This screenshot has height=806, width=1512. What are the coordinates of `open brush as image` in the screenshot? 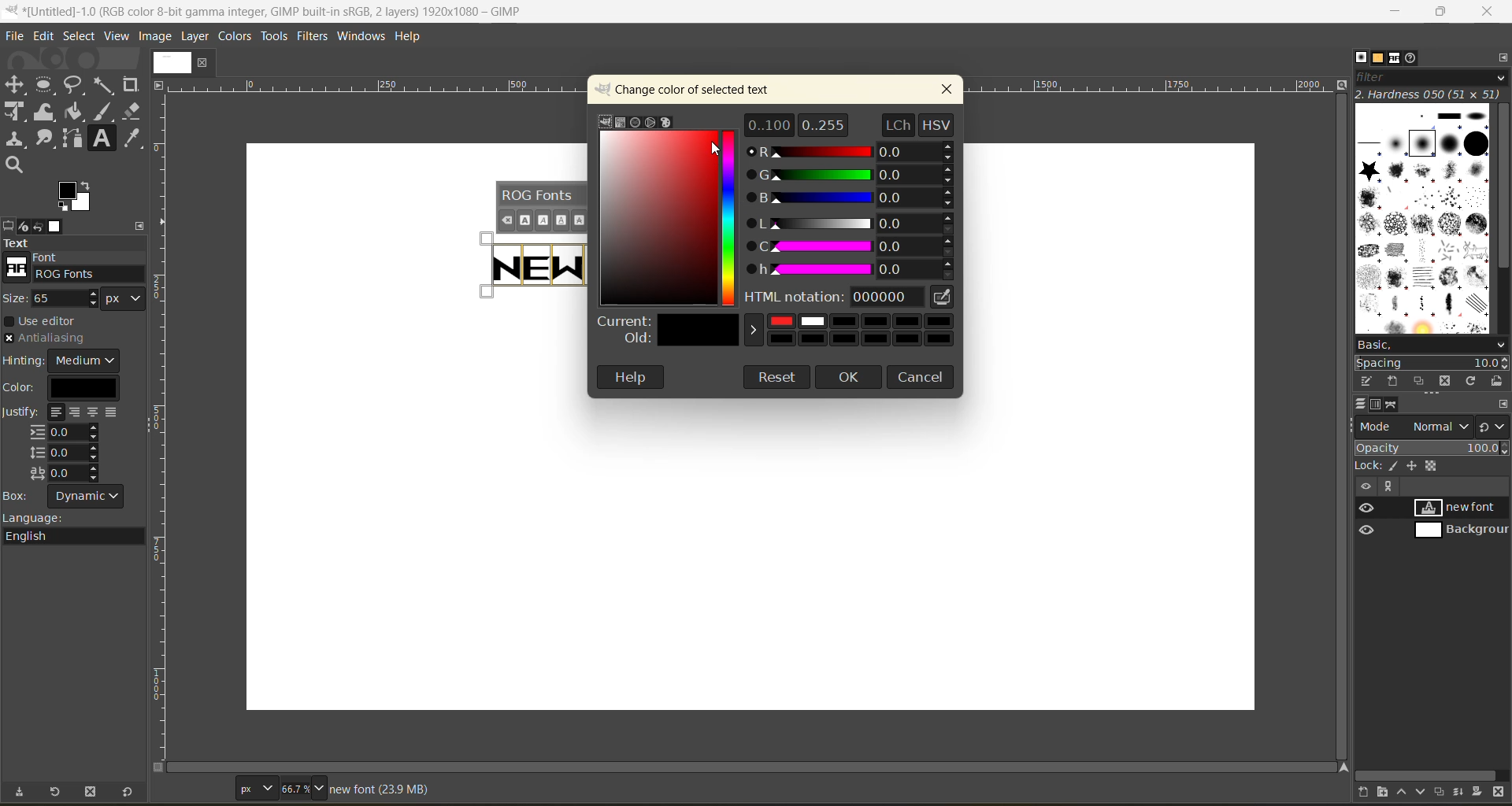 It's located at (1499, 383).